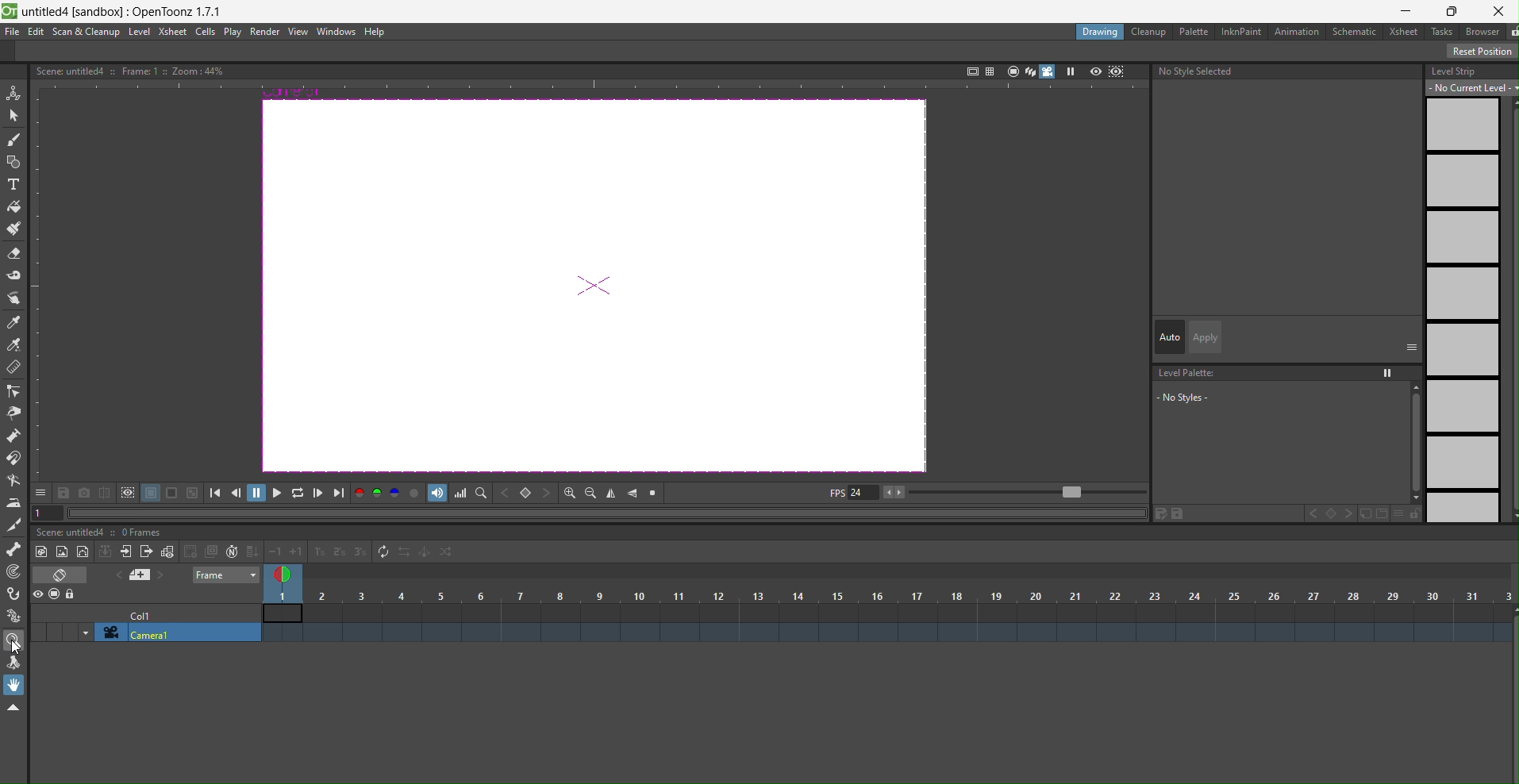 This screenshot has height=784, width=1519. What do you see at coordinates (633, 494) in the screenshot?
I see `flip horizontal` at bounding box center [633, 494].